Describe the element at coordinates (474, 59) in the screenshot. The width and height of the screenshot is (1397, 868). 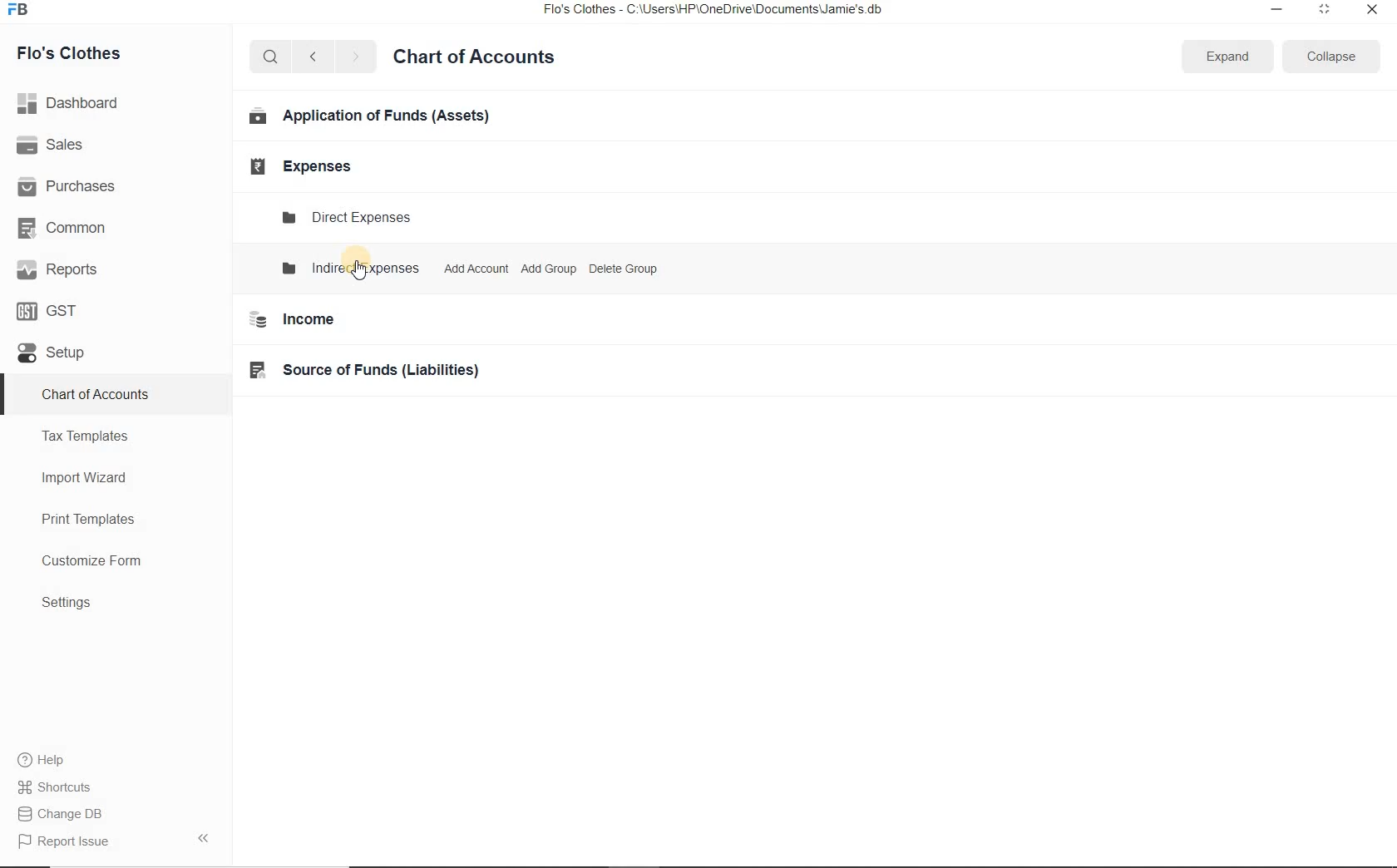
I see `Chart of Accounts` at that location.